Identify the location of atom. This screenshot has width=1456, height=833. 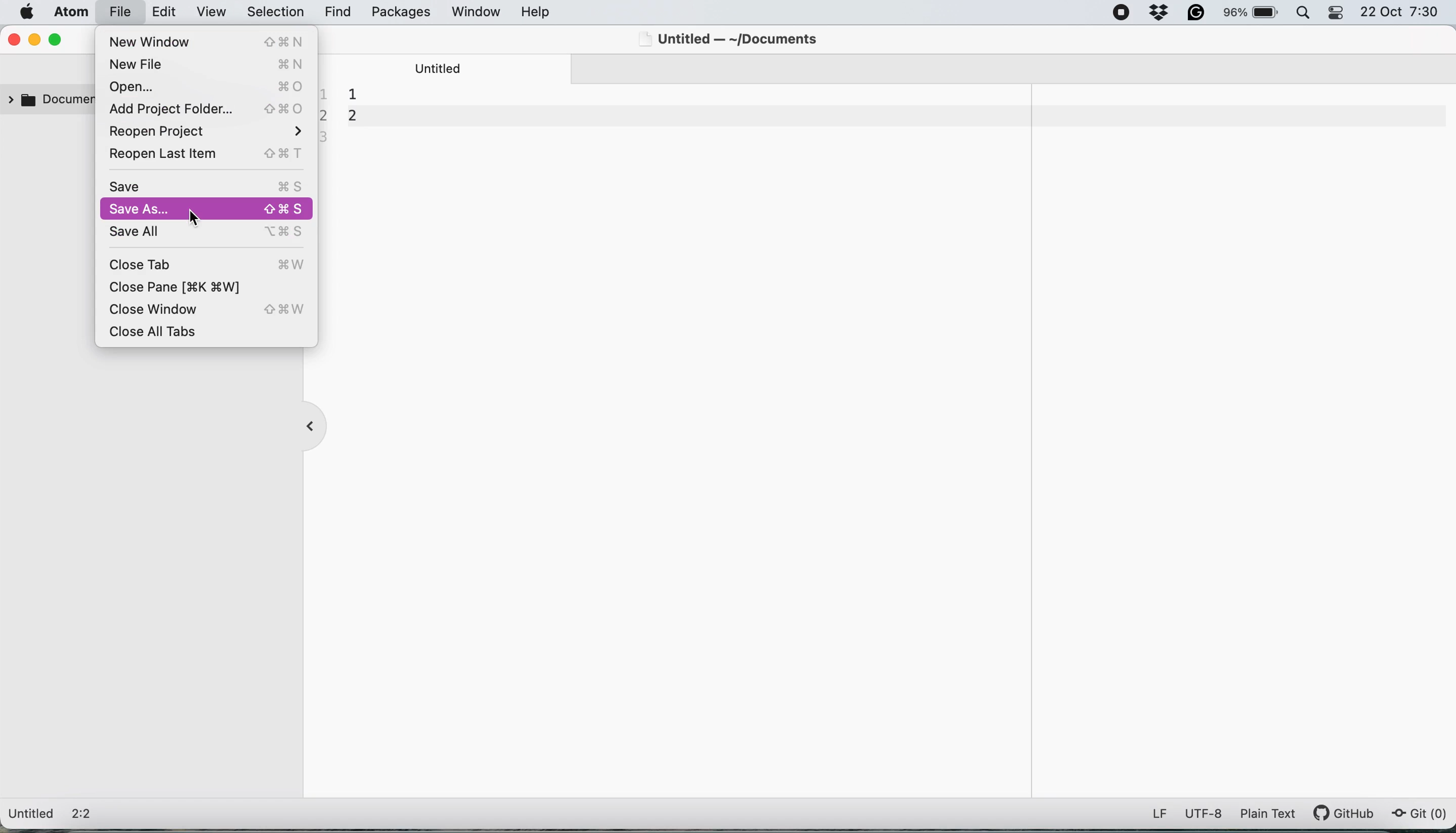
(74, 14).